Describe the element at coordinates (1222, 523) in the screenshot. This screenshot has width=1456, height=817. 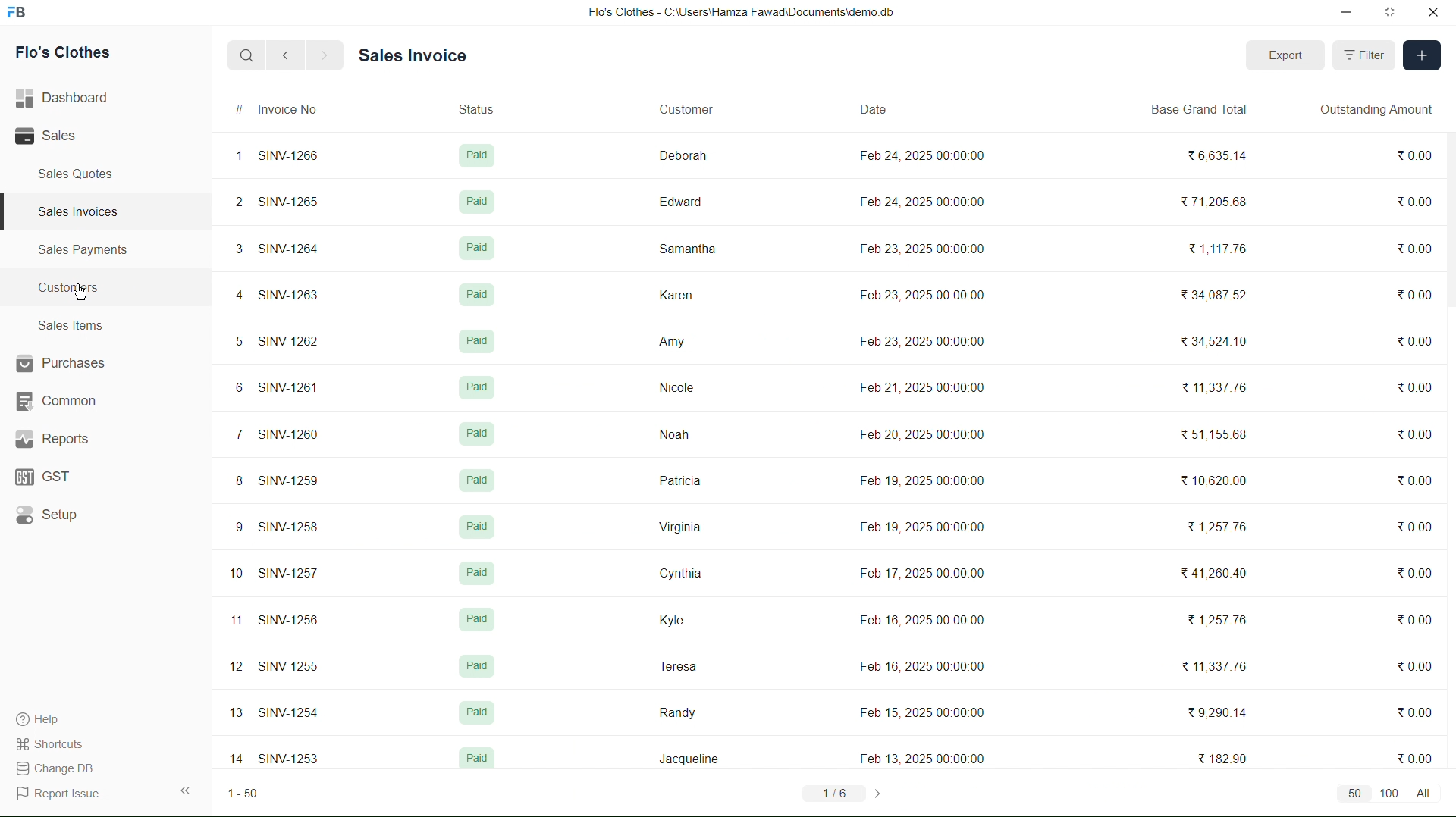
I see `21,257.76` at that location.